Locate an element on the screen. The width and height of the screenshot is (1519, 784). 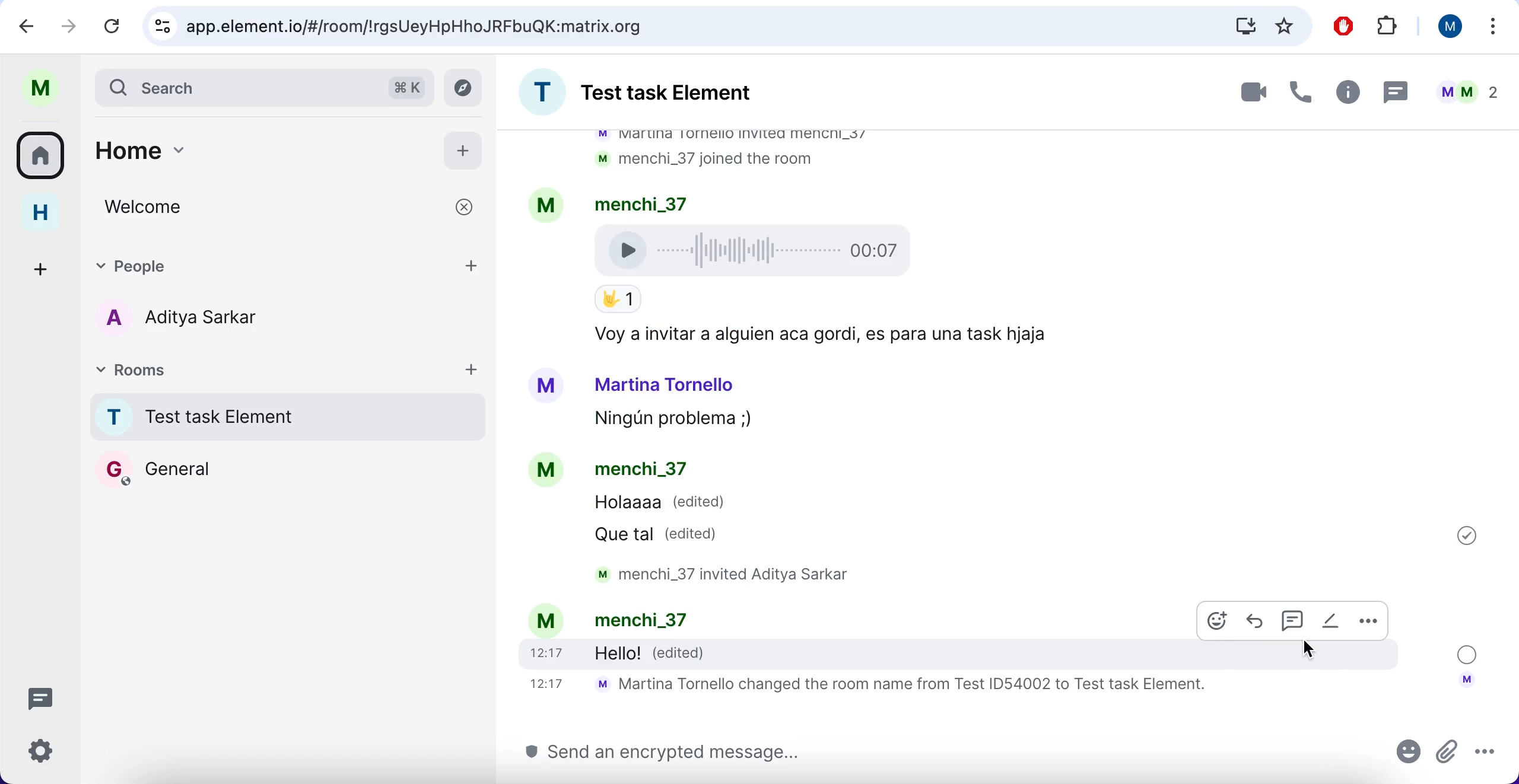
info is located at coordinates (1348, 94).